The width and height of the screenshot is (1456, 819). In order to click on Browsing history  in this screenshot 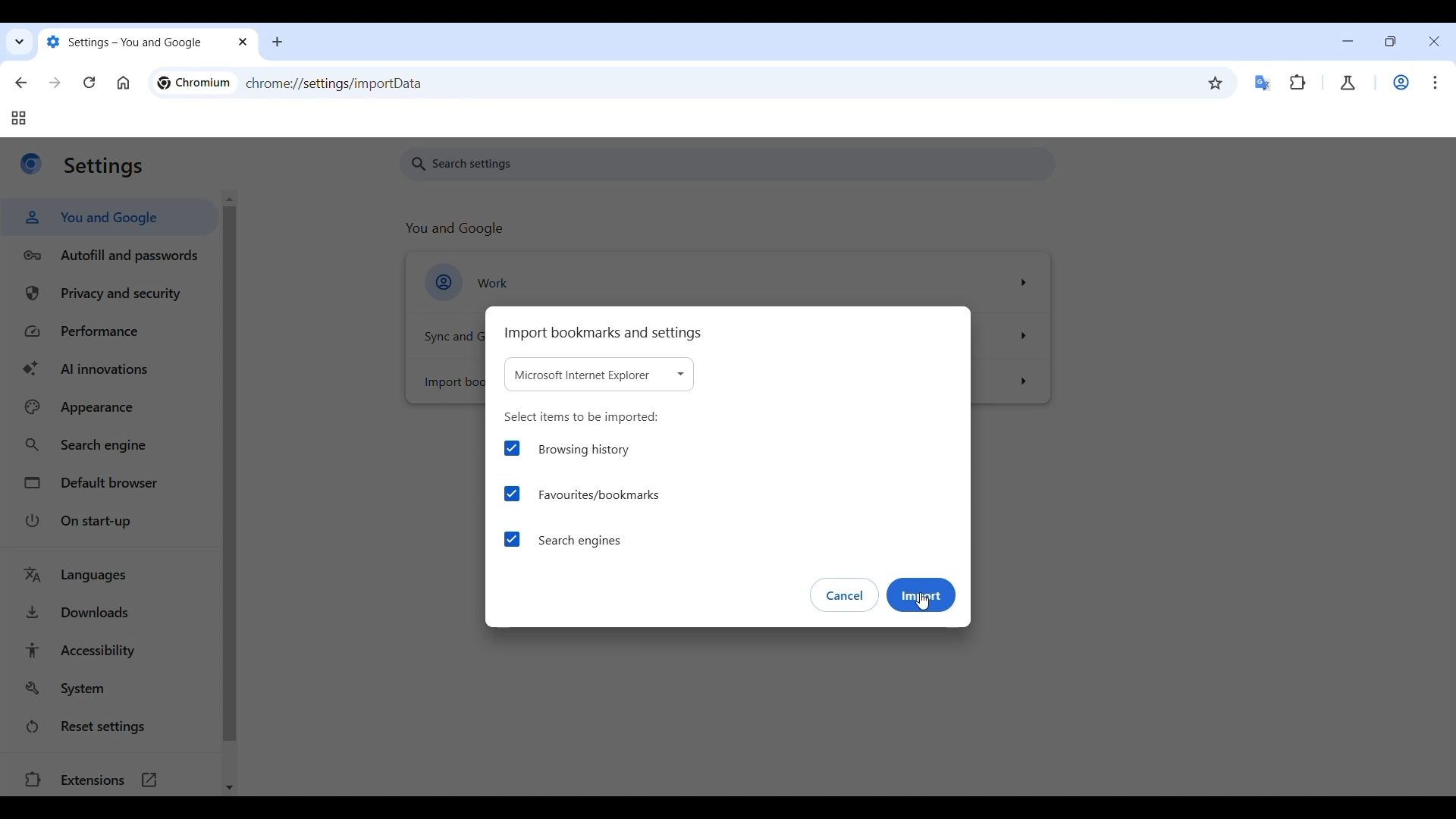, I will do `click(565, 450)`.